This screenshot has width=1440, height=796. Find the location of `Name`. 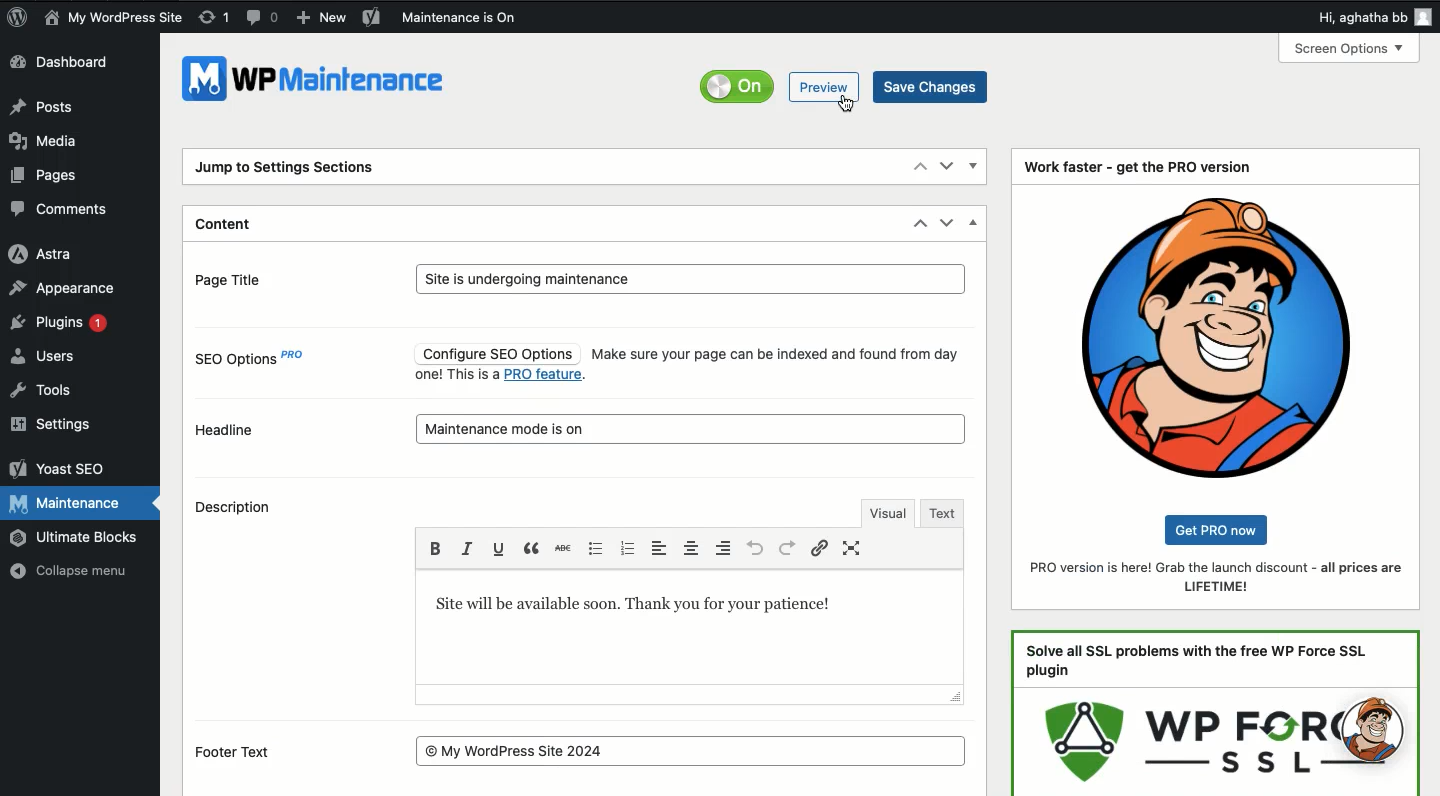

Name is located at coordinates (115, 17).